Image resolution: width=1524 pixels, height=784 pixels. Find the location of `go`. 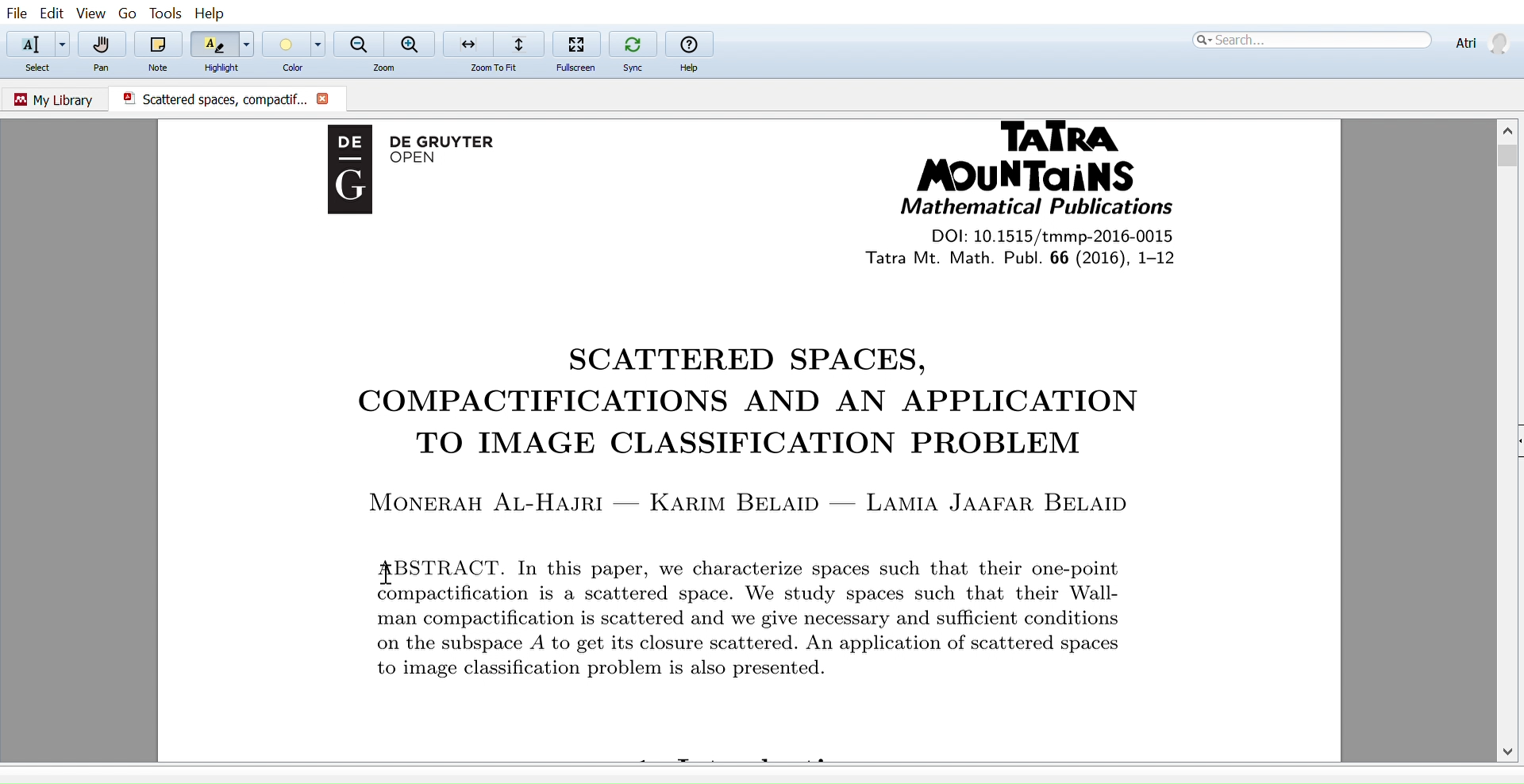

go is located at coordinates (128, 14).